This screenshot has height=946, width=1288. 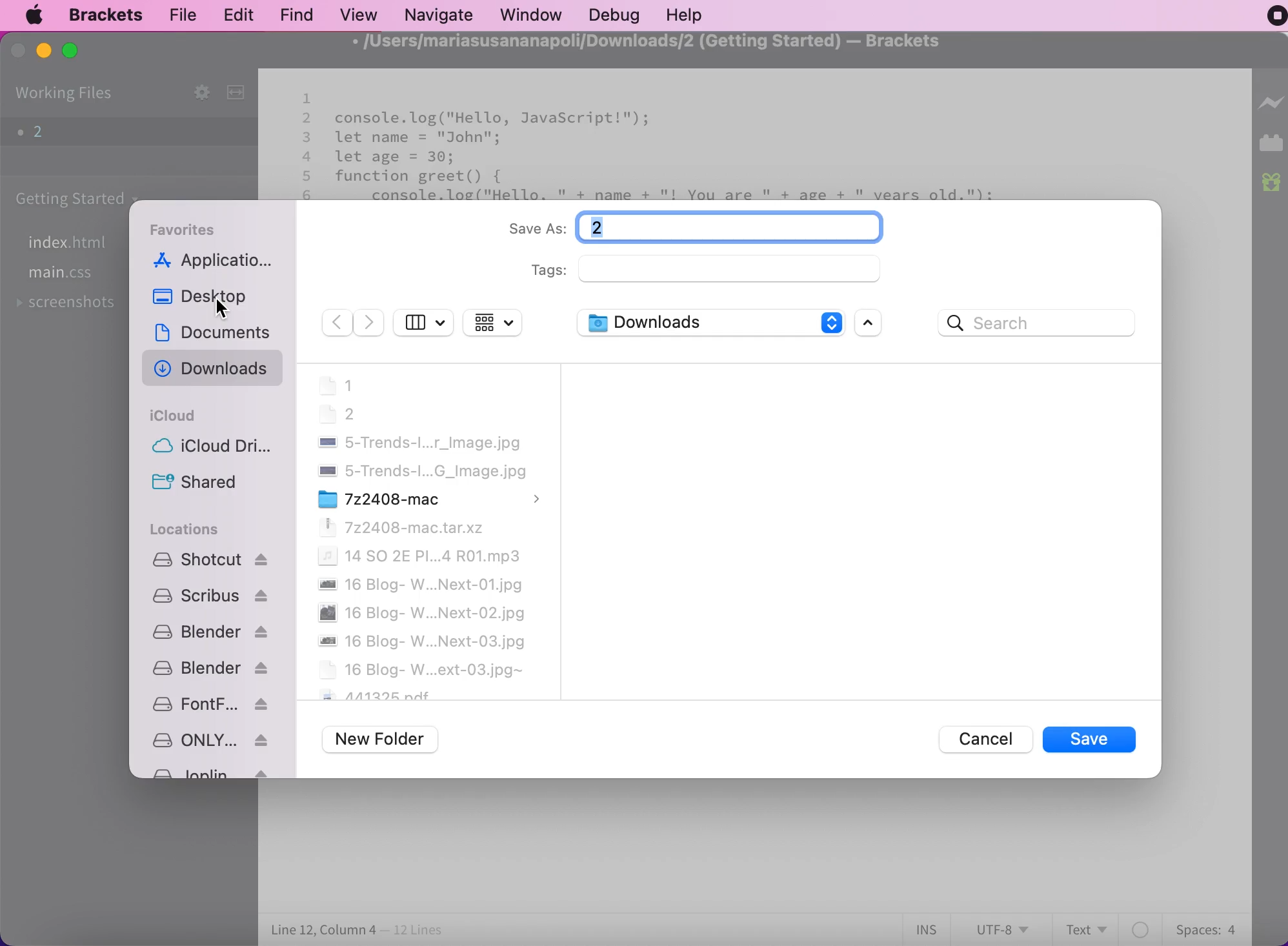 What do you see at coordinates (399, 527) in the screenshot?
I see `7z2408-mac.tar.xz` at bounding box center [399, 527].